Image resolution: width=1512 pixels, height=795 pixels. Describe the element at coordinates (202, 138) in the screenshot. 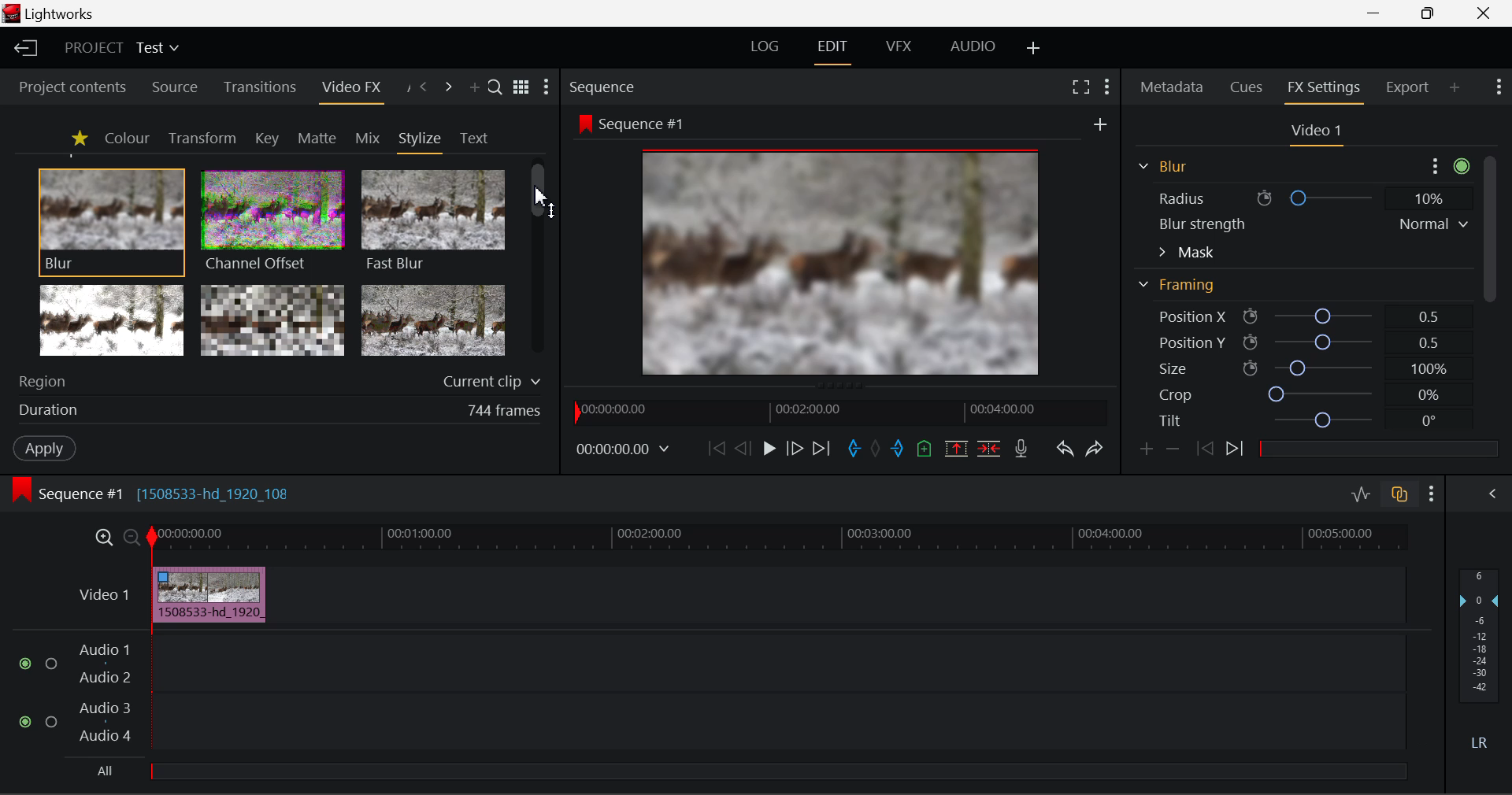

I see `Transform` at that location.